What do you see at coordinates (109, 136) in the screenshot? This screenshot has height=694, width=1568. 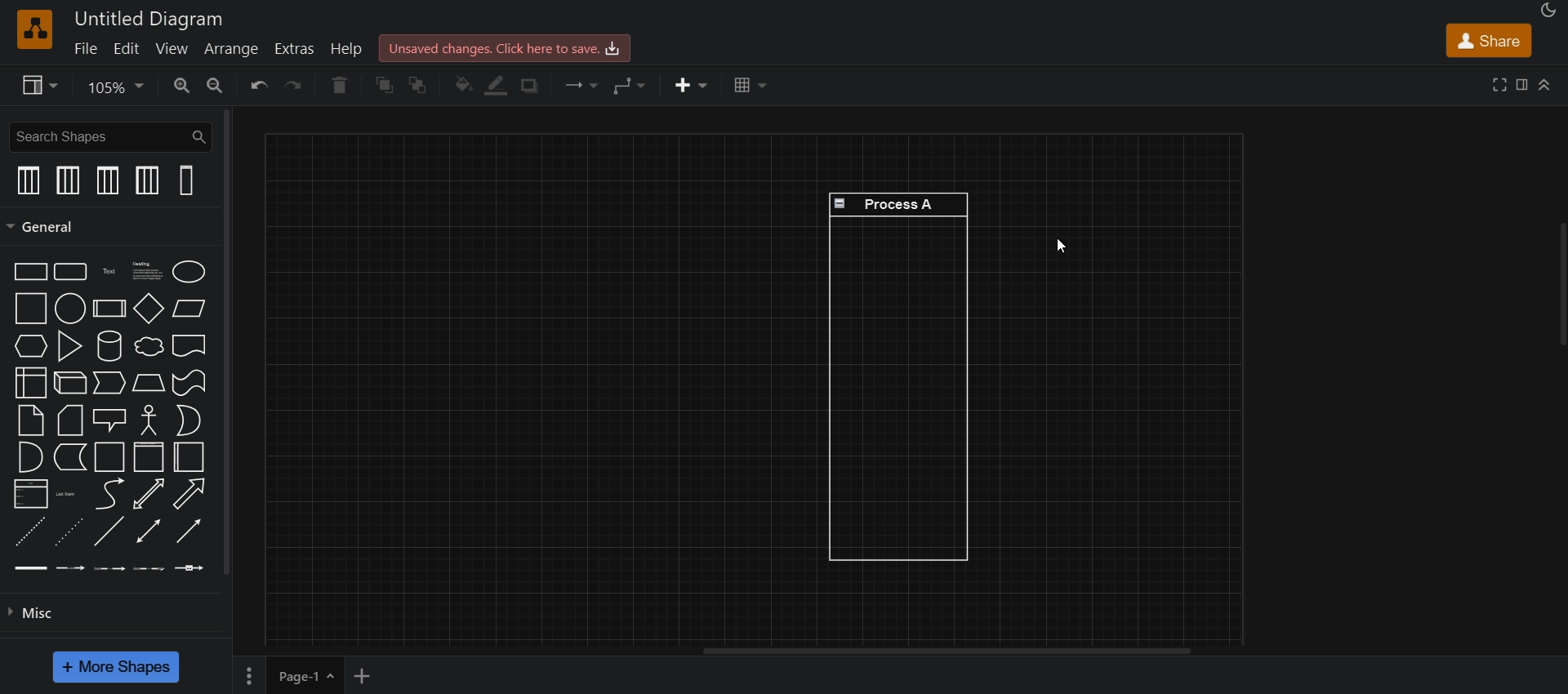 I see `search shapes` at bounding box center [109, 136].